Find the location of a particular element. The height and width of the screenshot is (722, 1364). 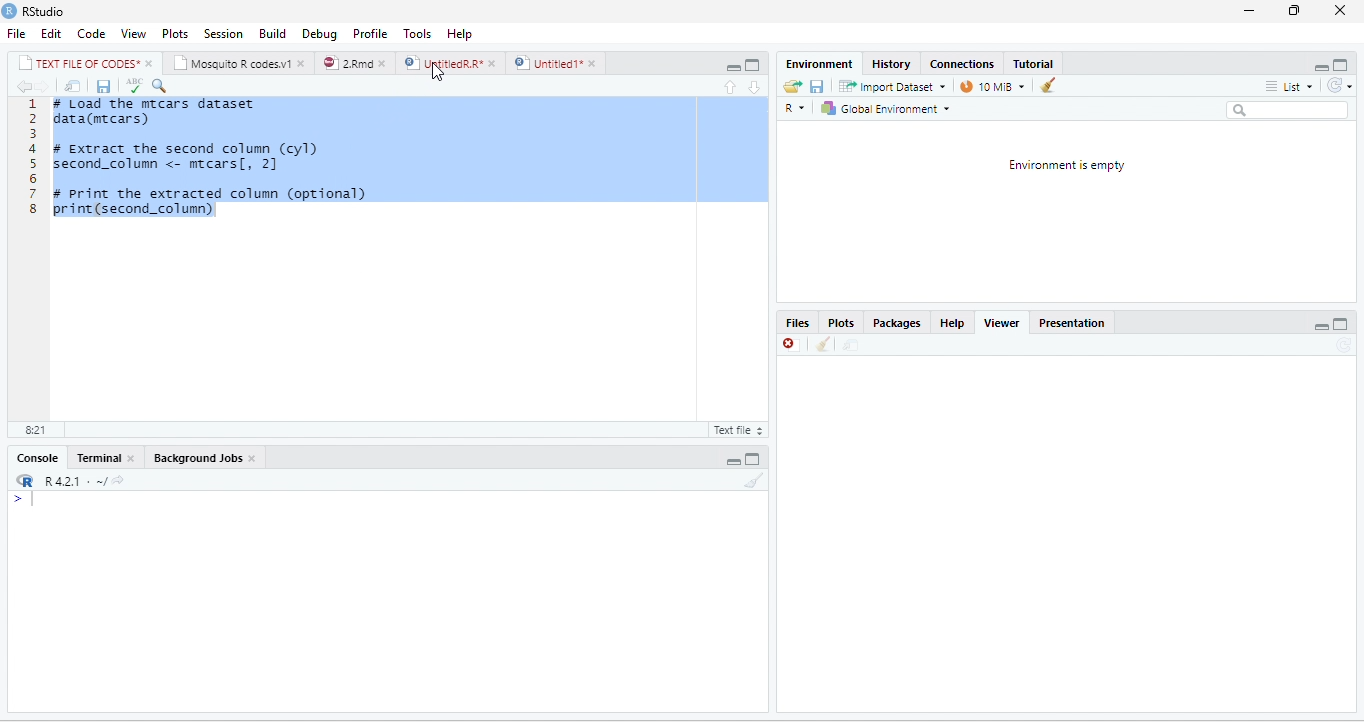

search is located at coordinates (1288, 109).